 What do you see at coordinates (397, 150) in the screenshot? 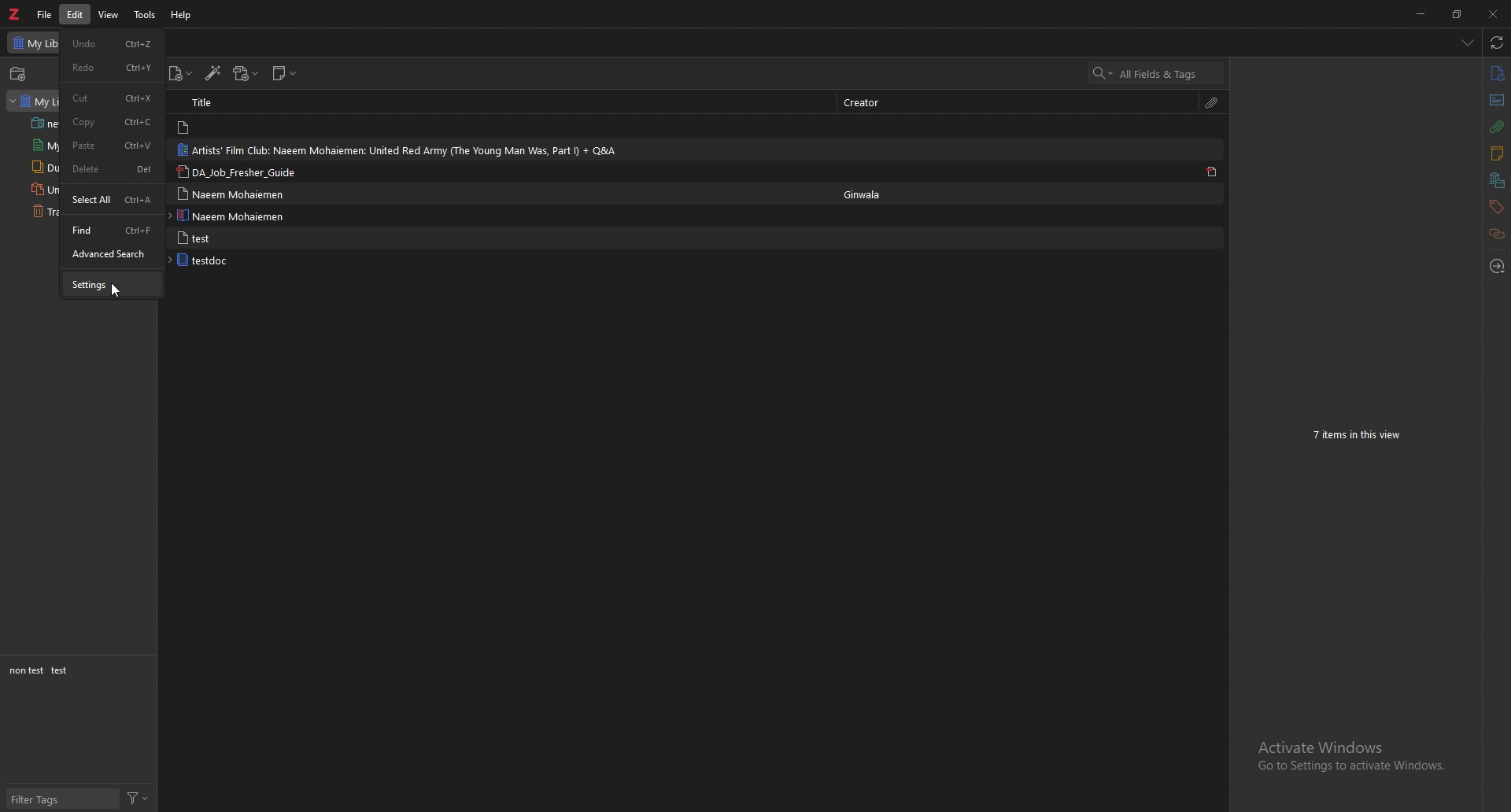
I see `Artists' Film Club: Naeem Mohaiemen: United Red Army (The Young Man Was, Part 1) + Q&A` at bounding box center [397, 150].